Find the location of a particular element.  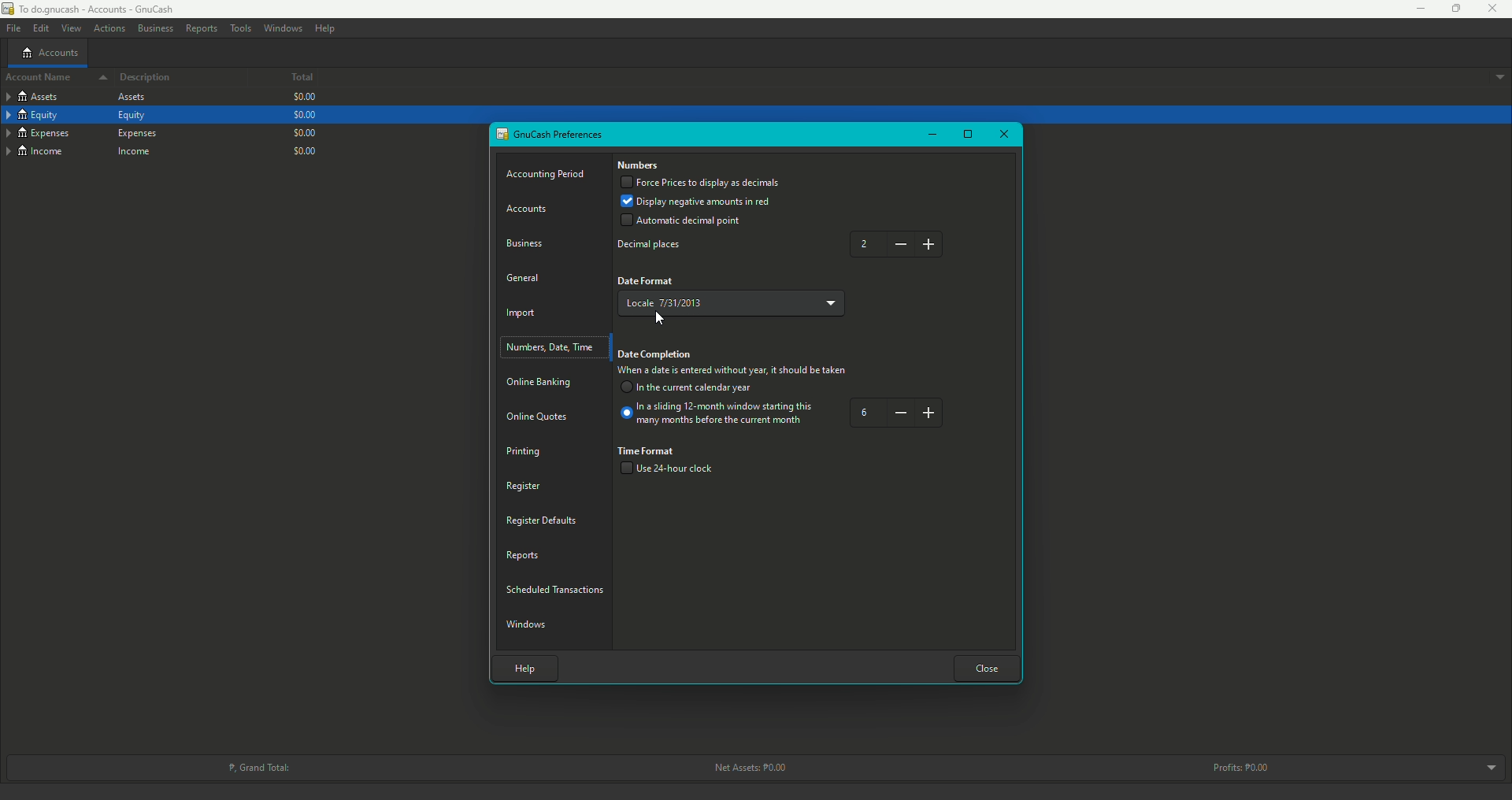

$0 is located at coordinates (308, 150).